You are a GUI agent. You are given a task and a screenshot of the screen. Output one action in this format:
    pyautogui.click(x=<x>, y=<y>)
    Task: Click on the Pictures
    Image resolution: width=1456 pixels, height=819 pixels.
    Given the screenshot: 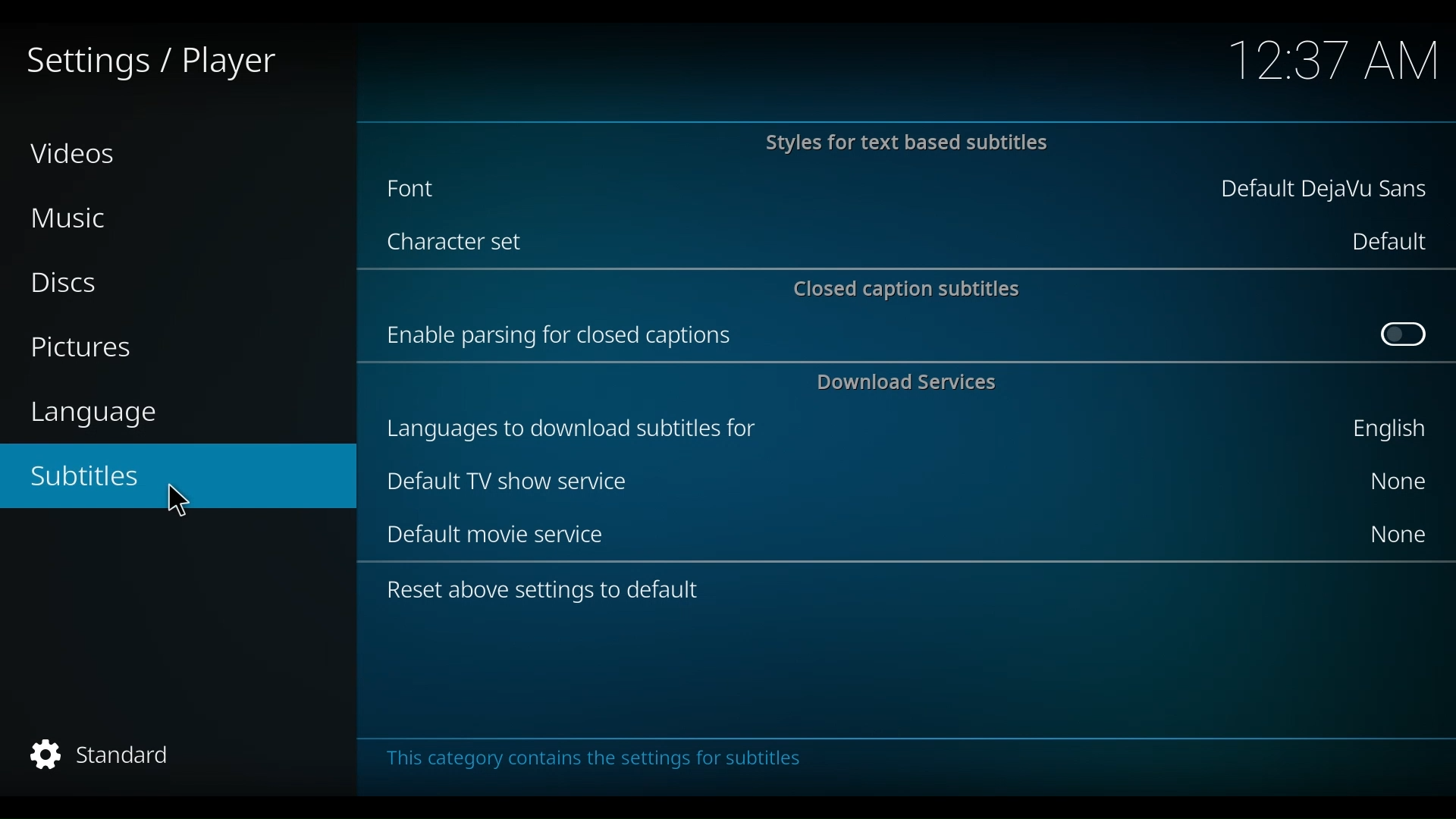 What is the action you would take?
    pyautogui.click(x=88, y=349)
    